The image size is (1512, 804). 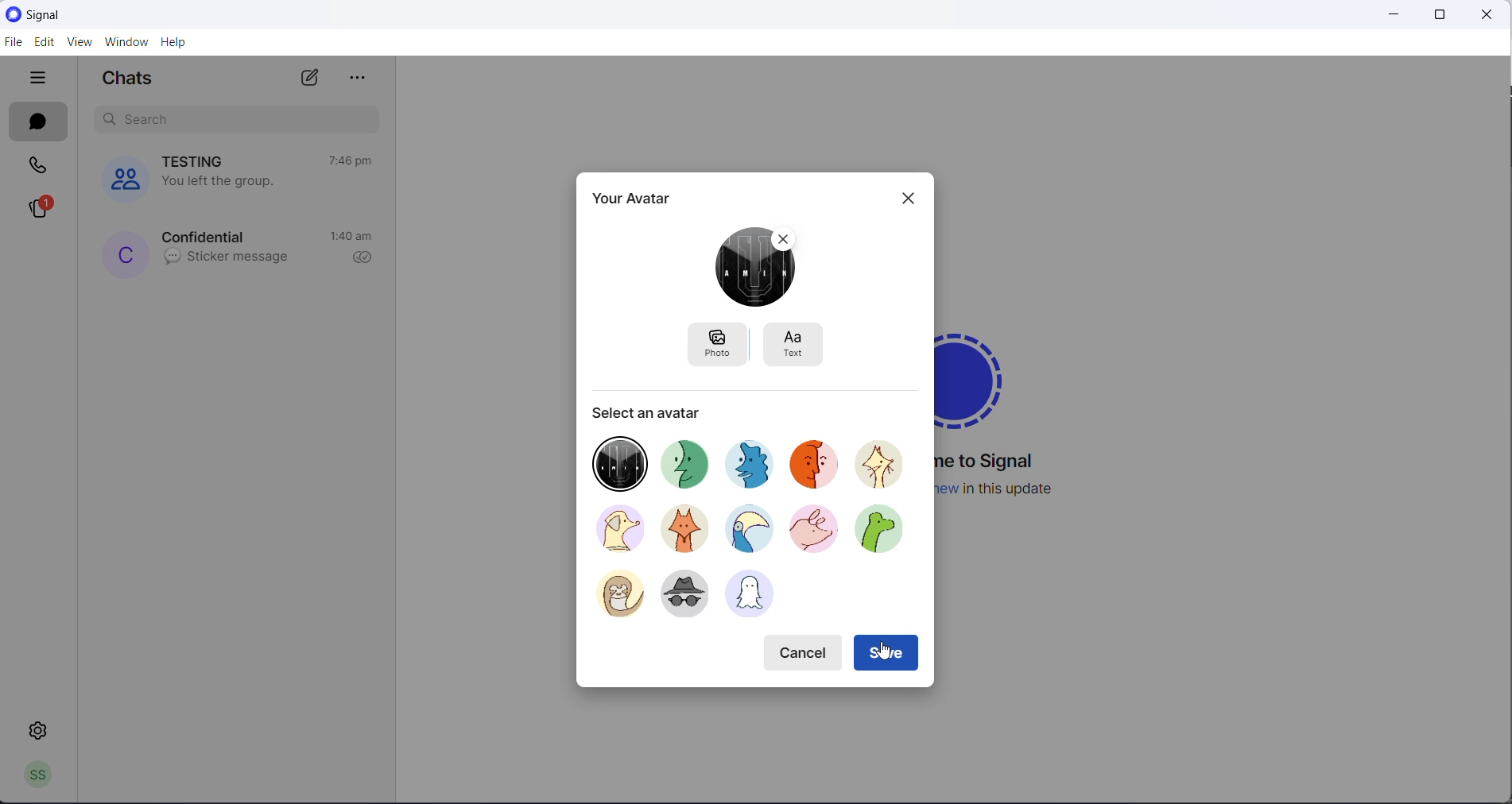 I want to click on profile picture, so click(x=126, y=253).